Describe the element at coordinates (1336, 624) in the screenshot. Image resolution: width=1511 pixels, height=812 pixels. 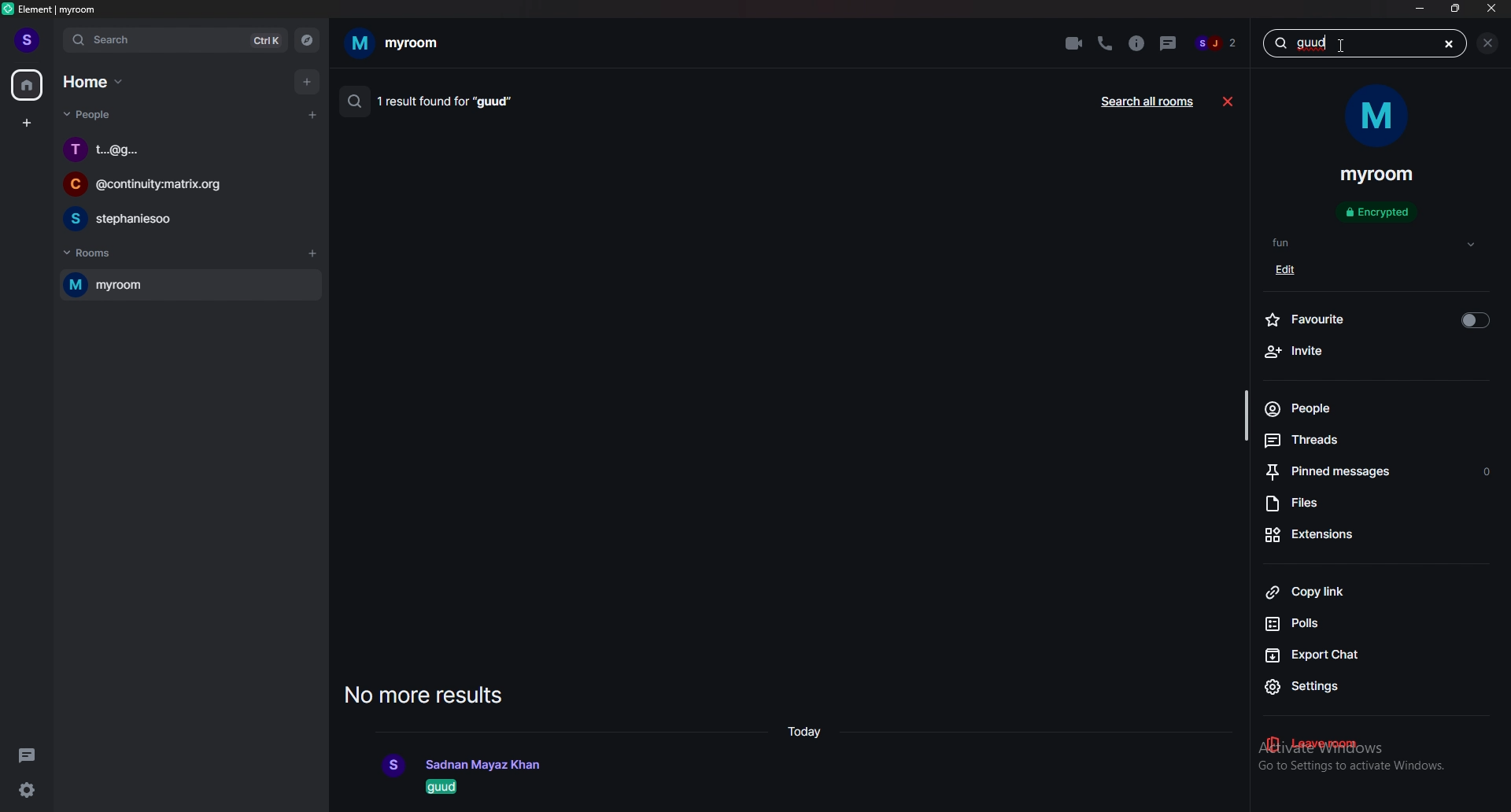
I see `polls` at that location.